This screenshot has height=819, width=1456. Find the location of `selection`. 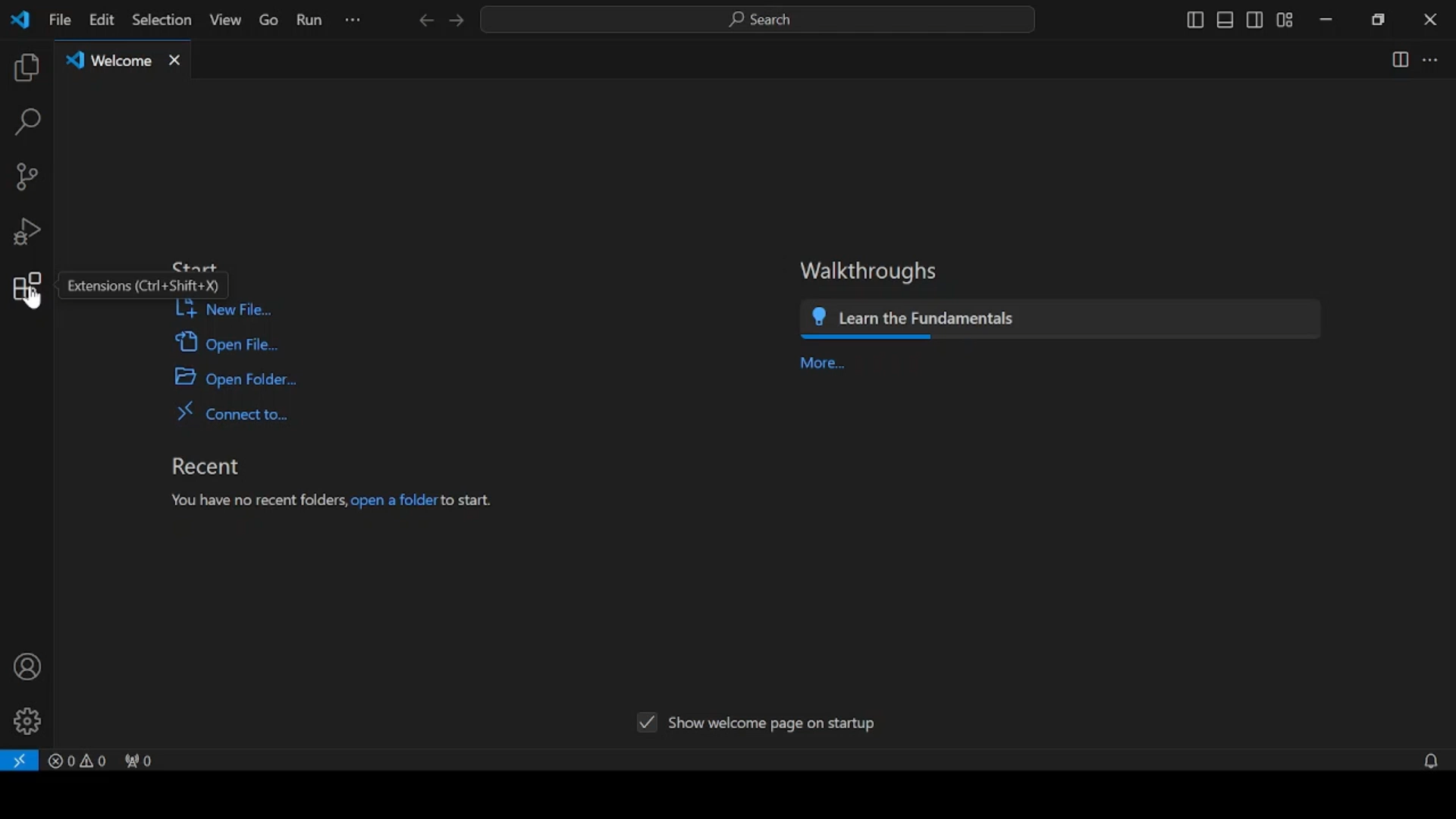

selection is located at coordinates (160, 19).